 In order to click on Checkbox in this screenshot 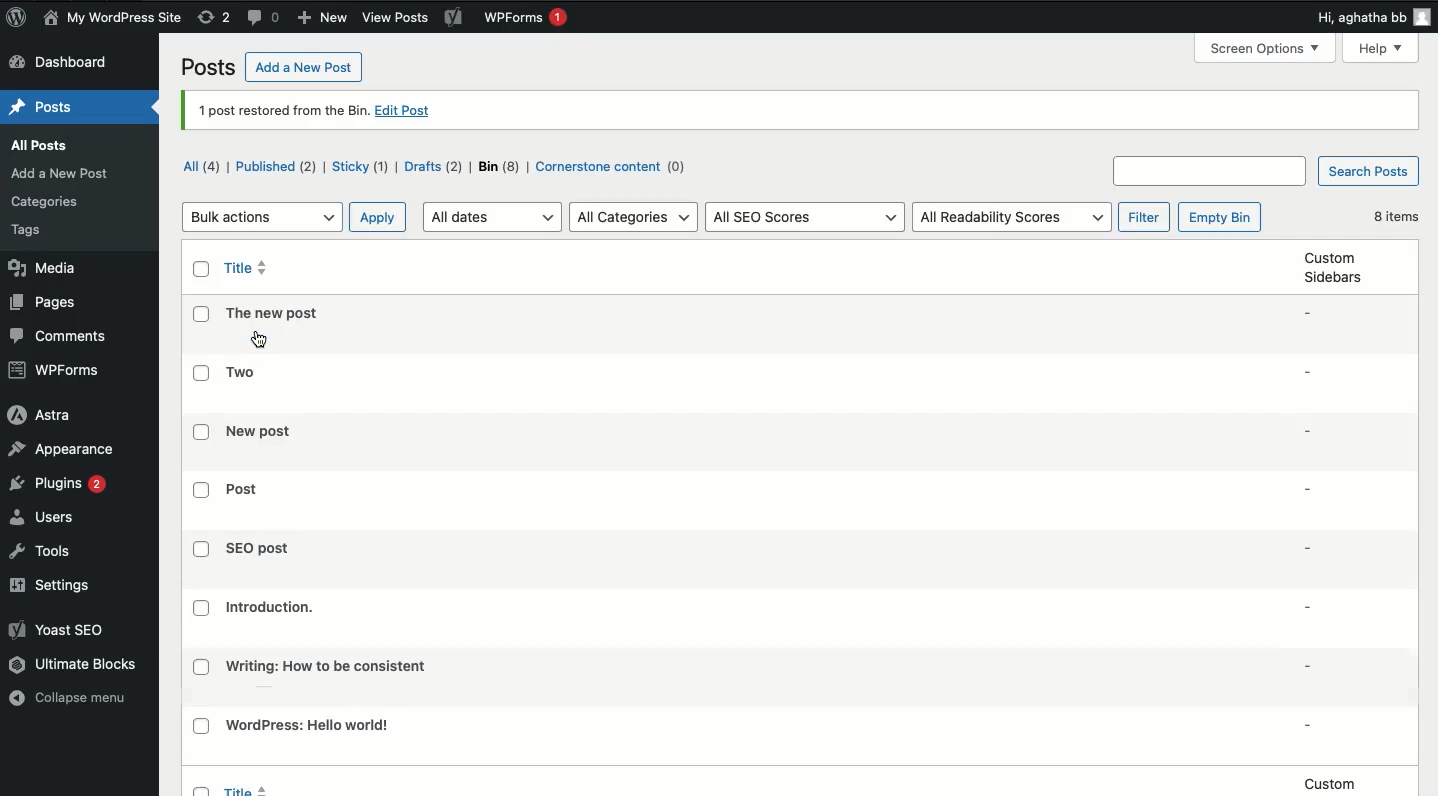, I will do `click(201, 548)`.